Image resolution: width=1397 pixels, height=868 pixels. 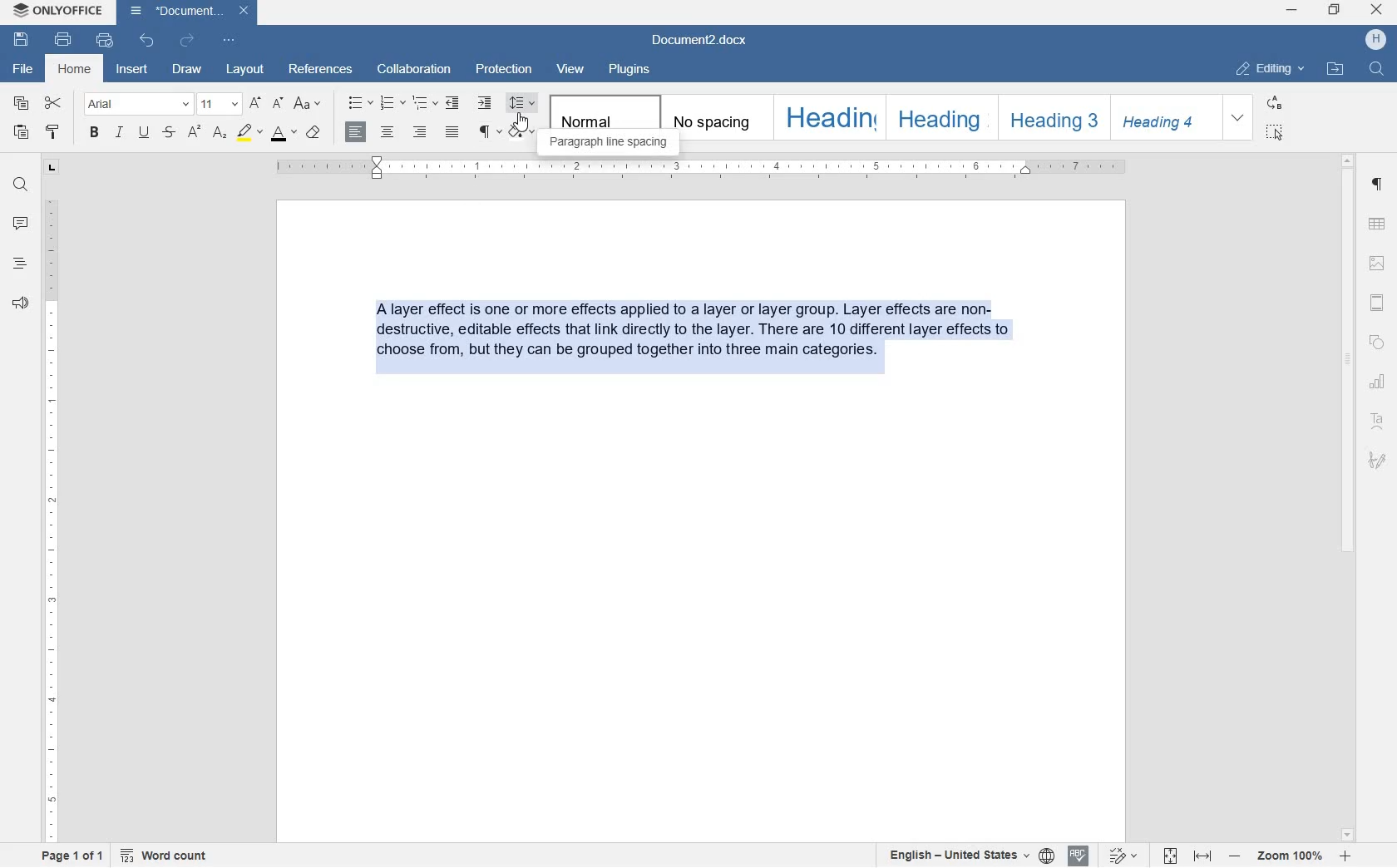 What do you see at coordinates (1378, 11) in the screenshot?
I see `close` at bounding box center [1378, 11].